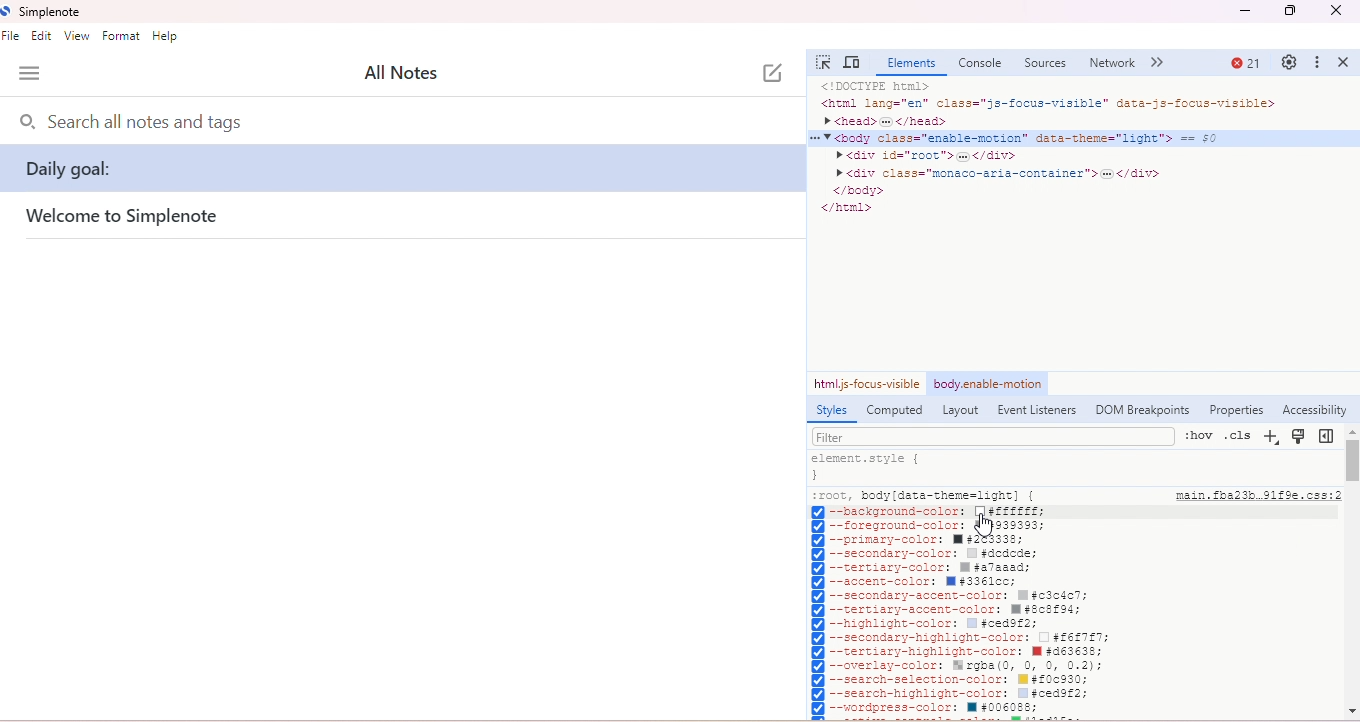  I want to click on tertiary-accent-color, so click(950, 610).